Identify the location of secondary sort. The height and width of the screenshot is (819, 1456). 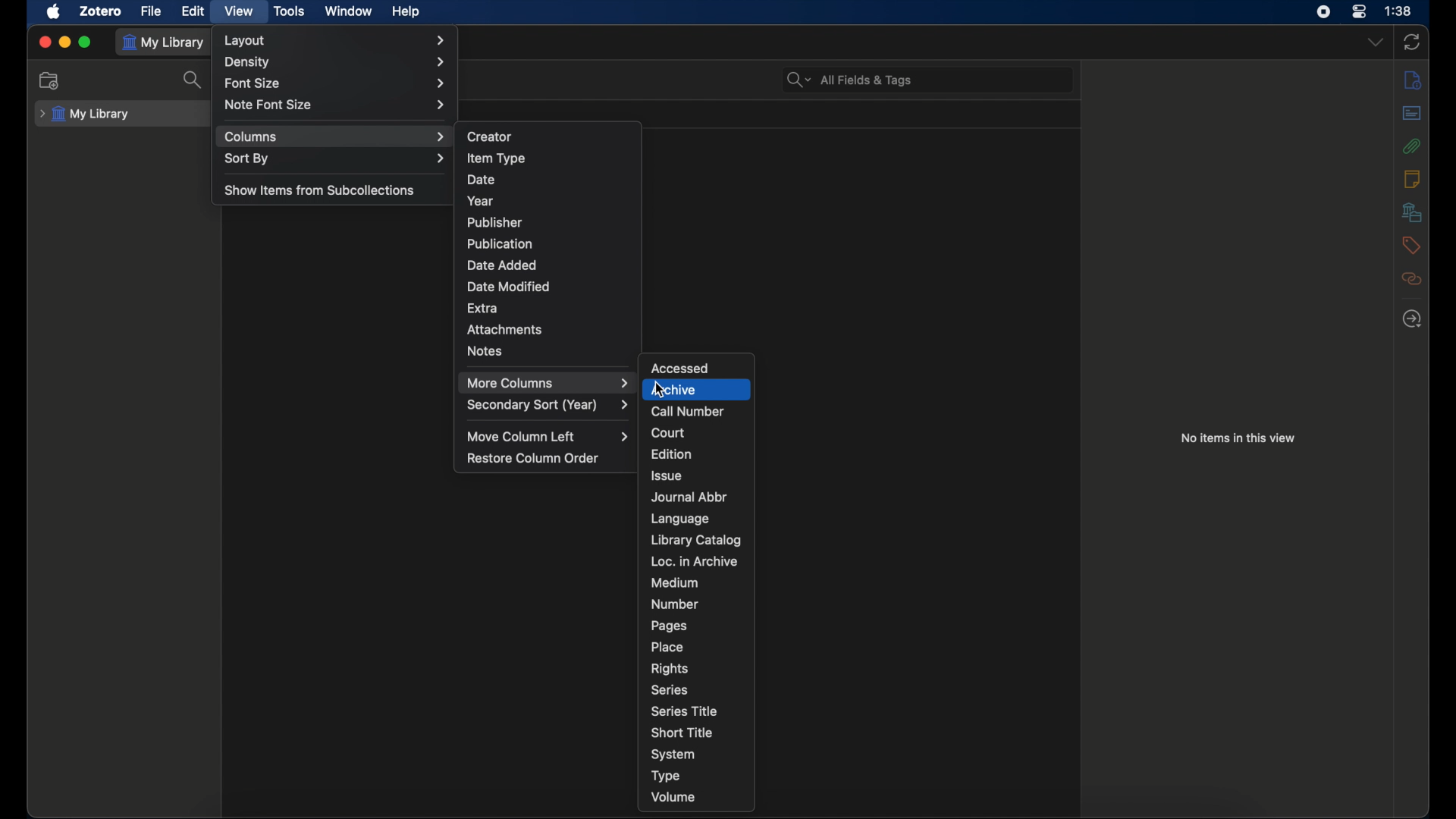
(548, 405).